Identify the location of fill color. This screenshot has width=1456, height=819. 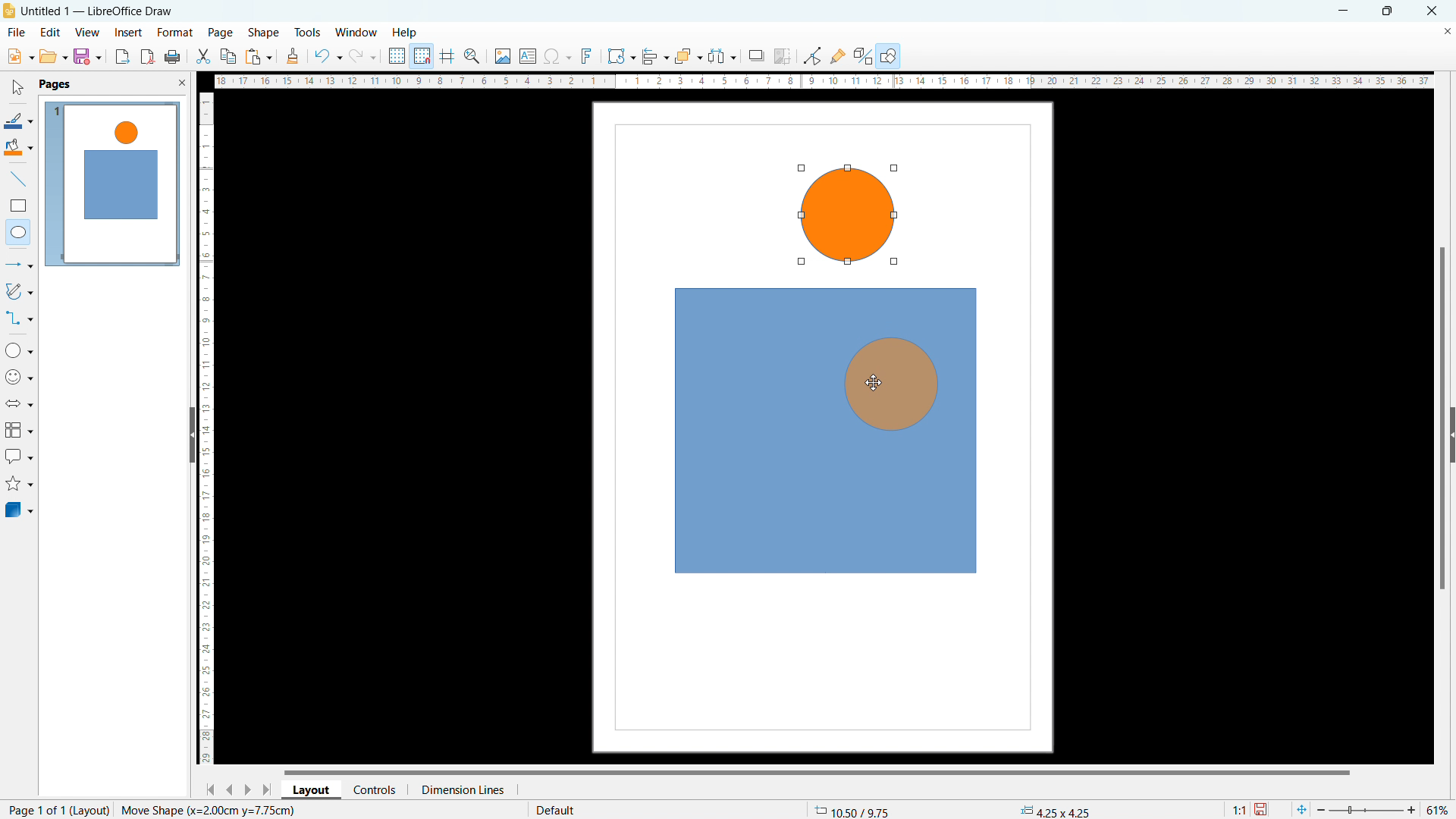
(19, 148).